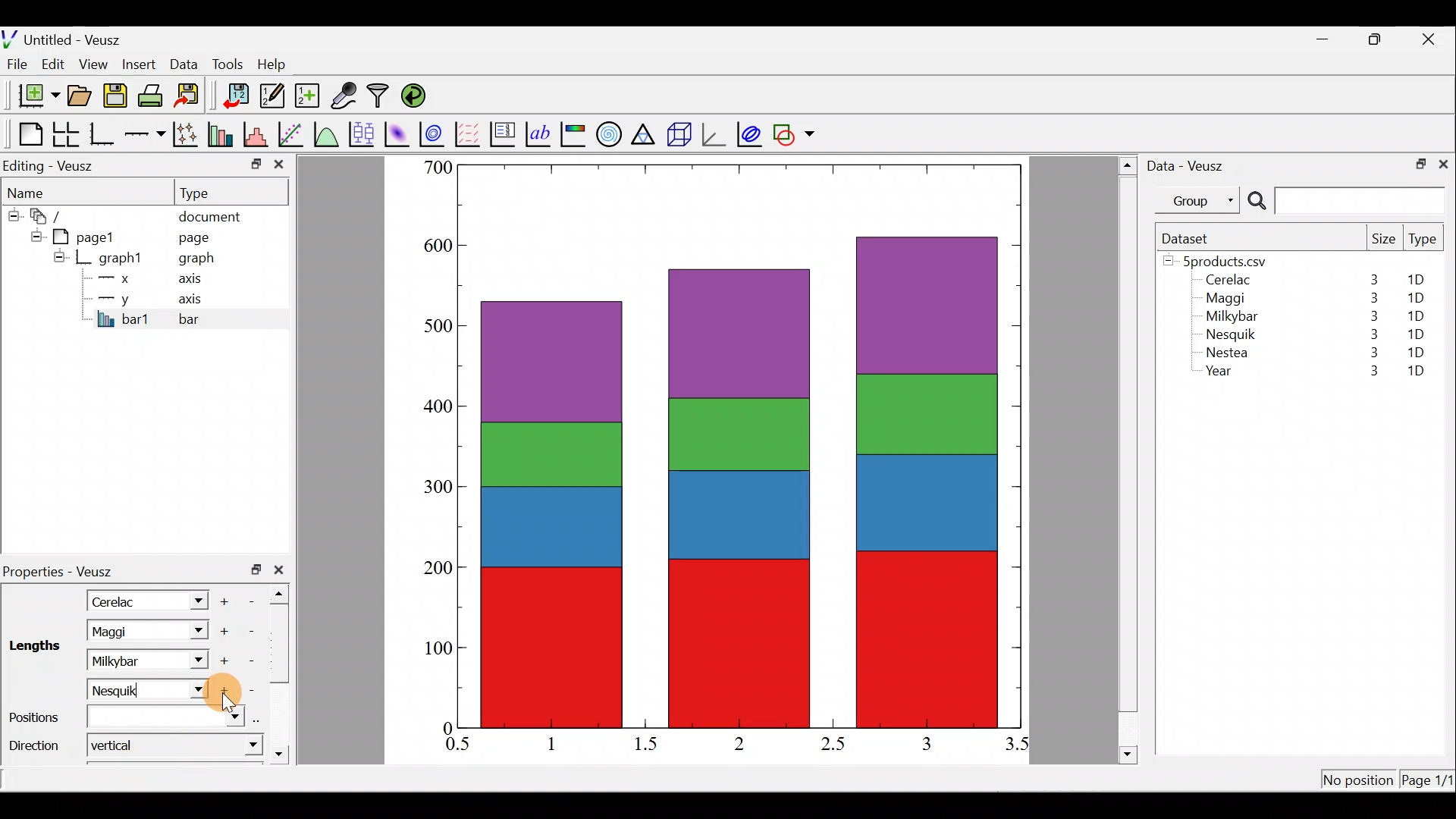 This screenshot has height=819, width=1456. What do you see at coordinates (184, 63) in the screenshot?
I see `Data` at bounding box center [184, 63].